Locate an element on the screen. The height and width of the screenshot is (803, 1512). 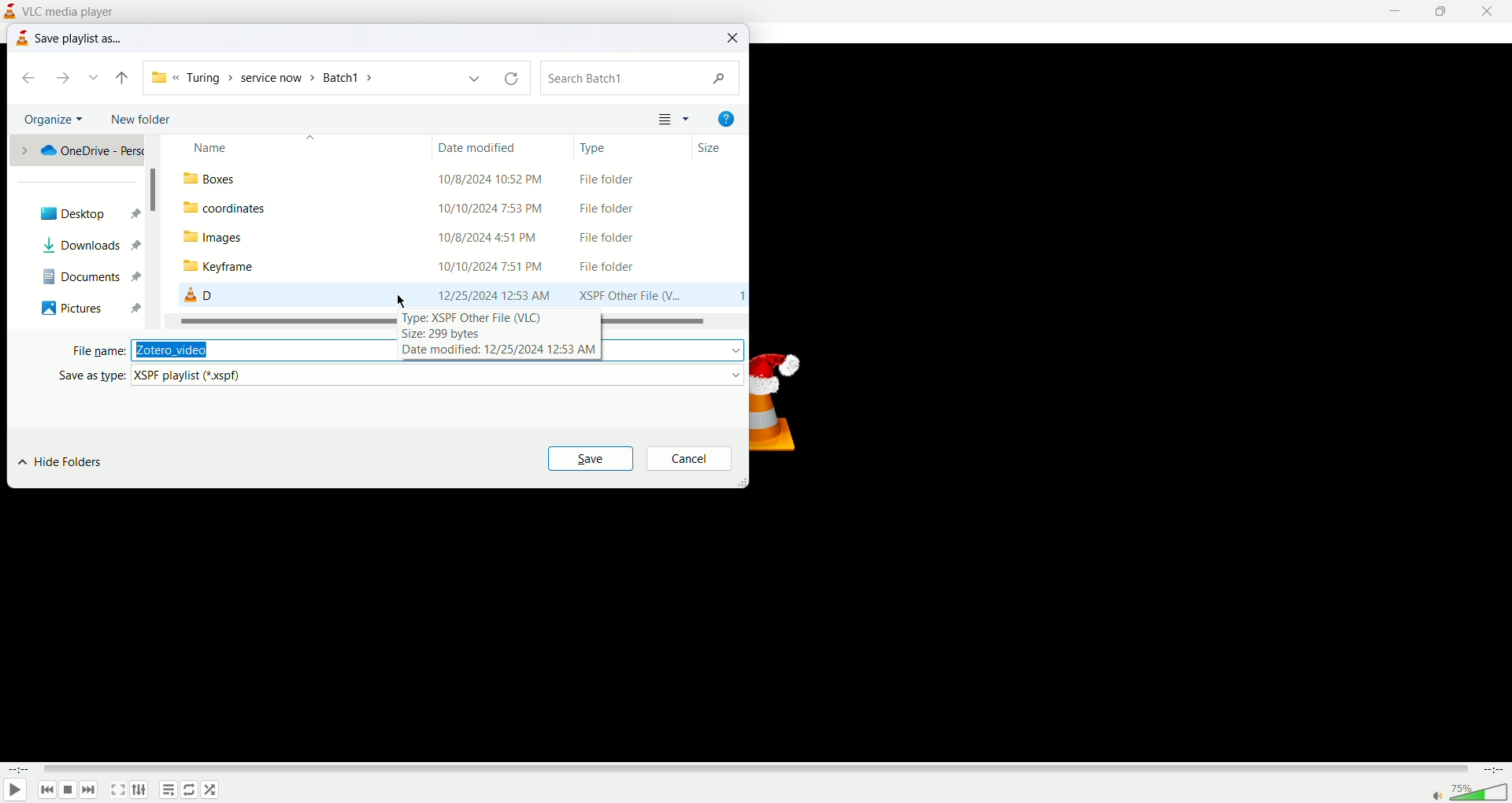
minimize is located at coordinates (1401, 11).